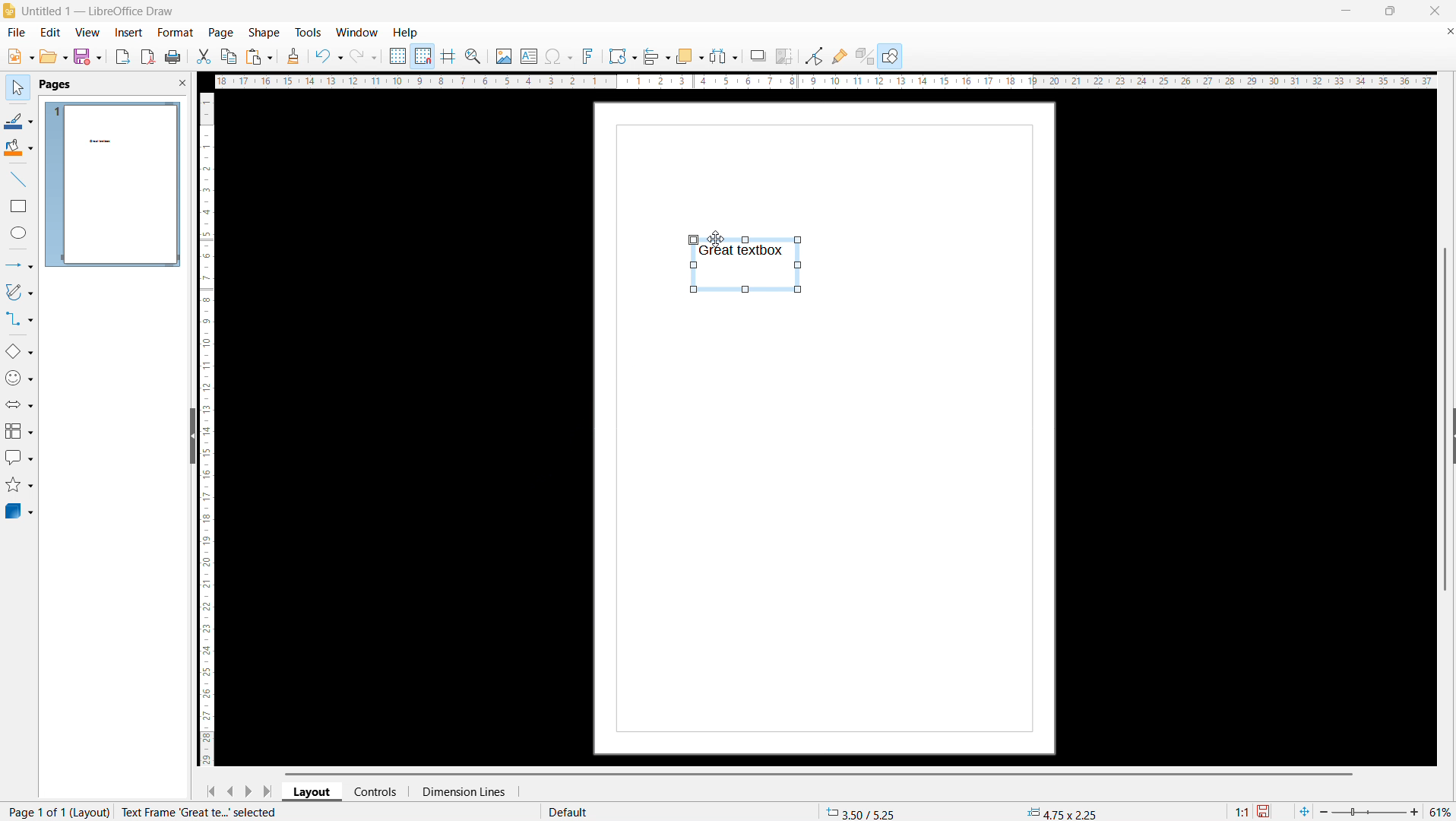 The height and width of the screenshot is (821, 1456). Describe the element at coordinates (210, 791) in the screenshot. I see `go to first page` at that location.